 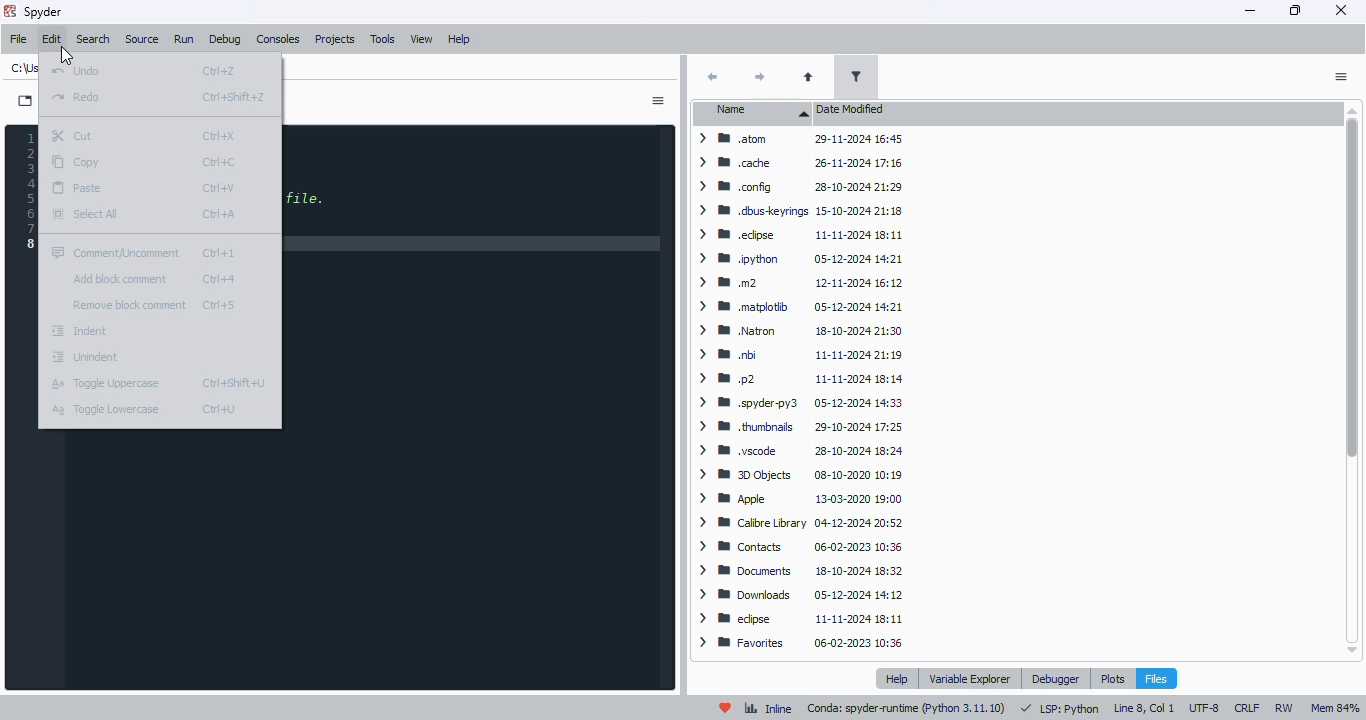 I want to click on LSP: Python, so click(x=1062, y=707).